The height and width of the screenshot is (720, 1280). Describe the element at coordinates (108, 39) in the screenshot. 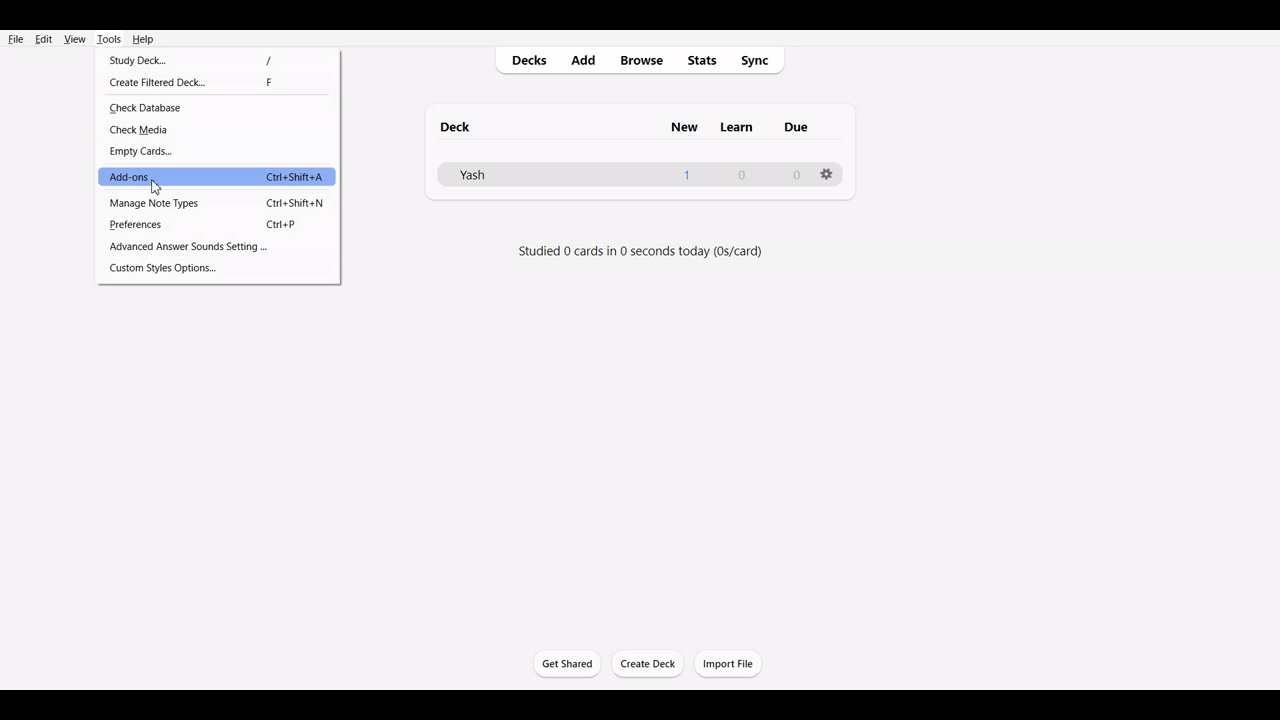

I see `Tools` at that location.